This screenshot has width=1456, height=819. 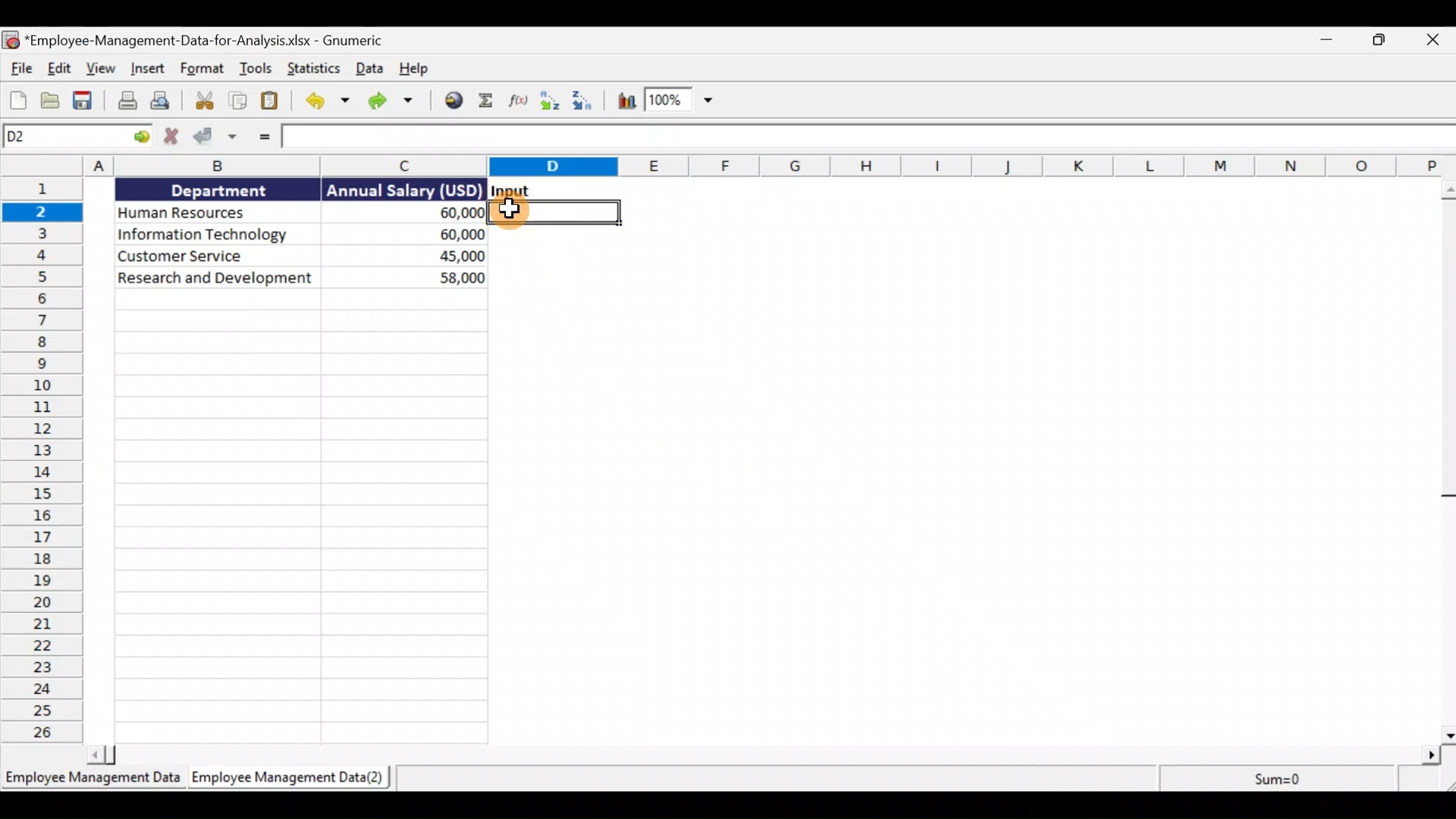 What do you see at coordinates (418, 69) in the screenshot?
I see `Help` at bounding box center [418, 69].